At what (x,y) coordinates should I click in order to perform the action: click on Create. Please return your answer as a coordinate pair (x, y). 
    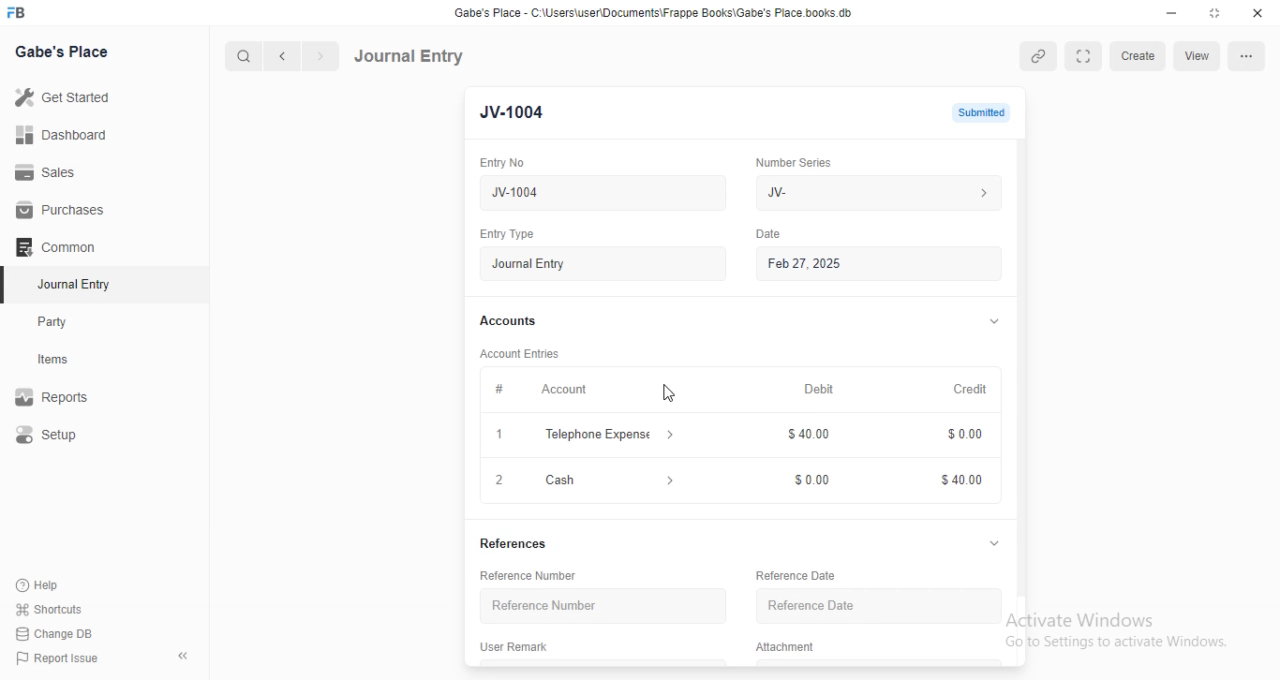
    Looking at the image, I should click on (1137, 56).